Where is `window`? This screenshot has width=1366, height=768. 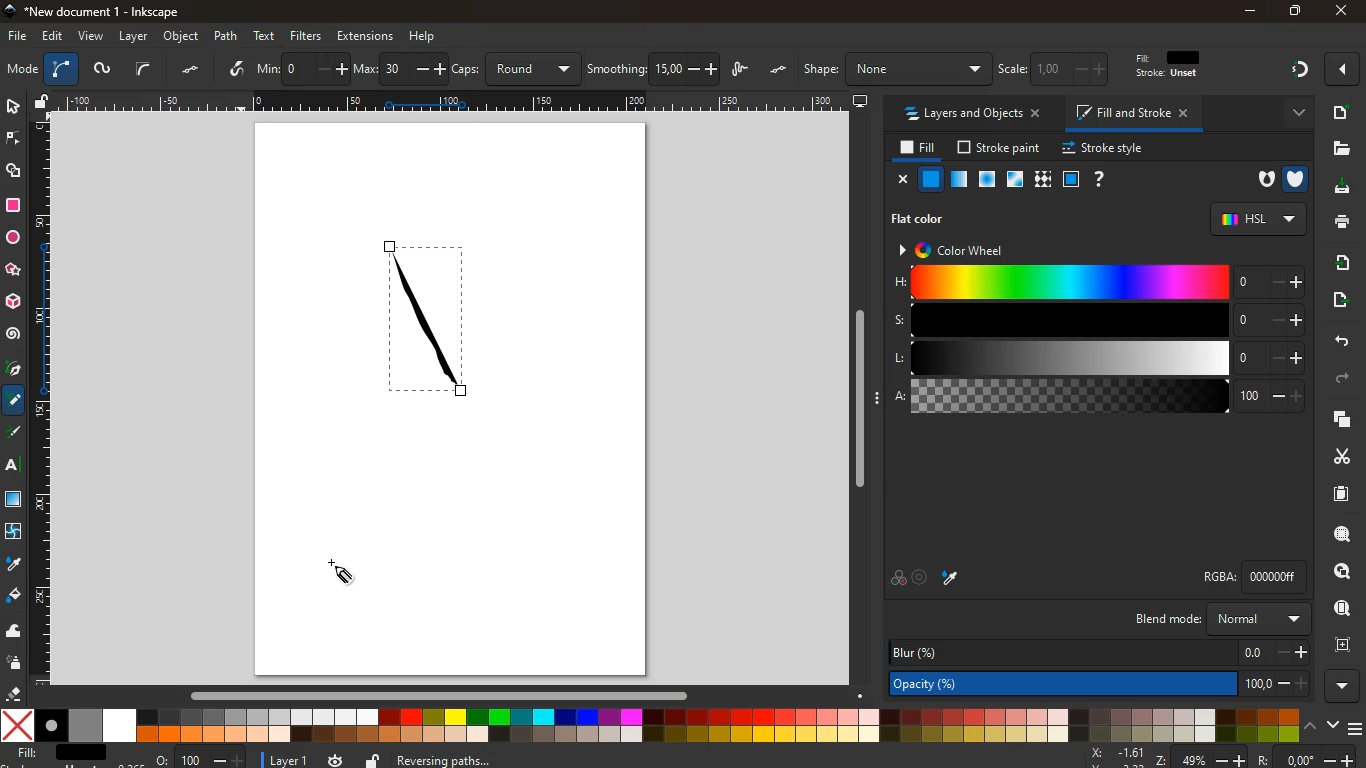
window is located at coordinates (1016, 180).